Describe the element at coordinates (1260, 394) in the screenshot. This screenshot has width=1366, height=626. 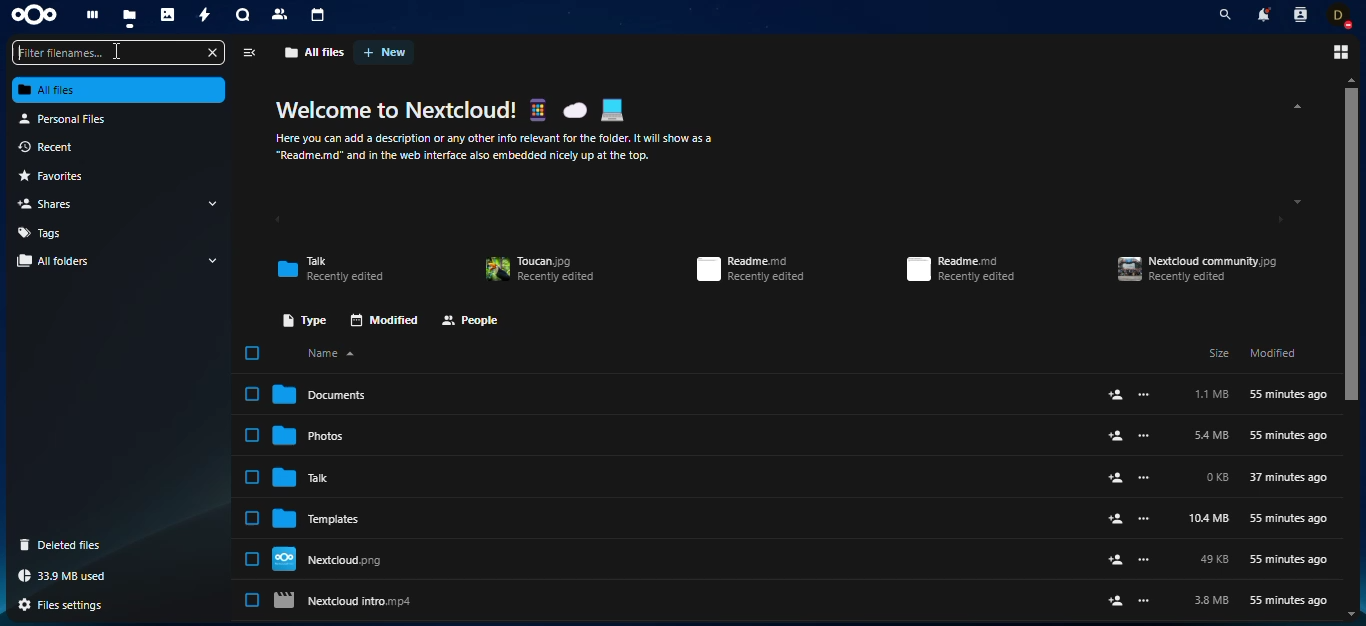
I see `1.1 MB 55 minutes ago` at that location.